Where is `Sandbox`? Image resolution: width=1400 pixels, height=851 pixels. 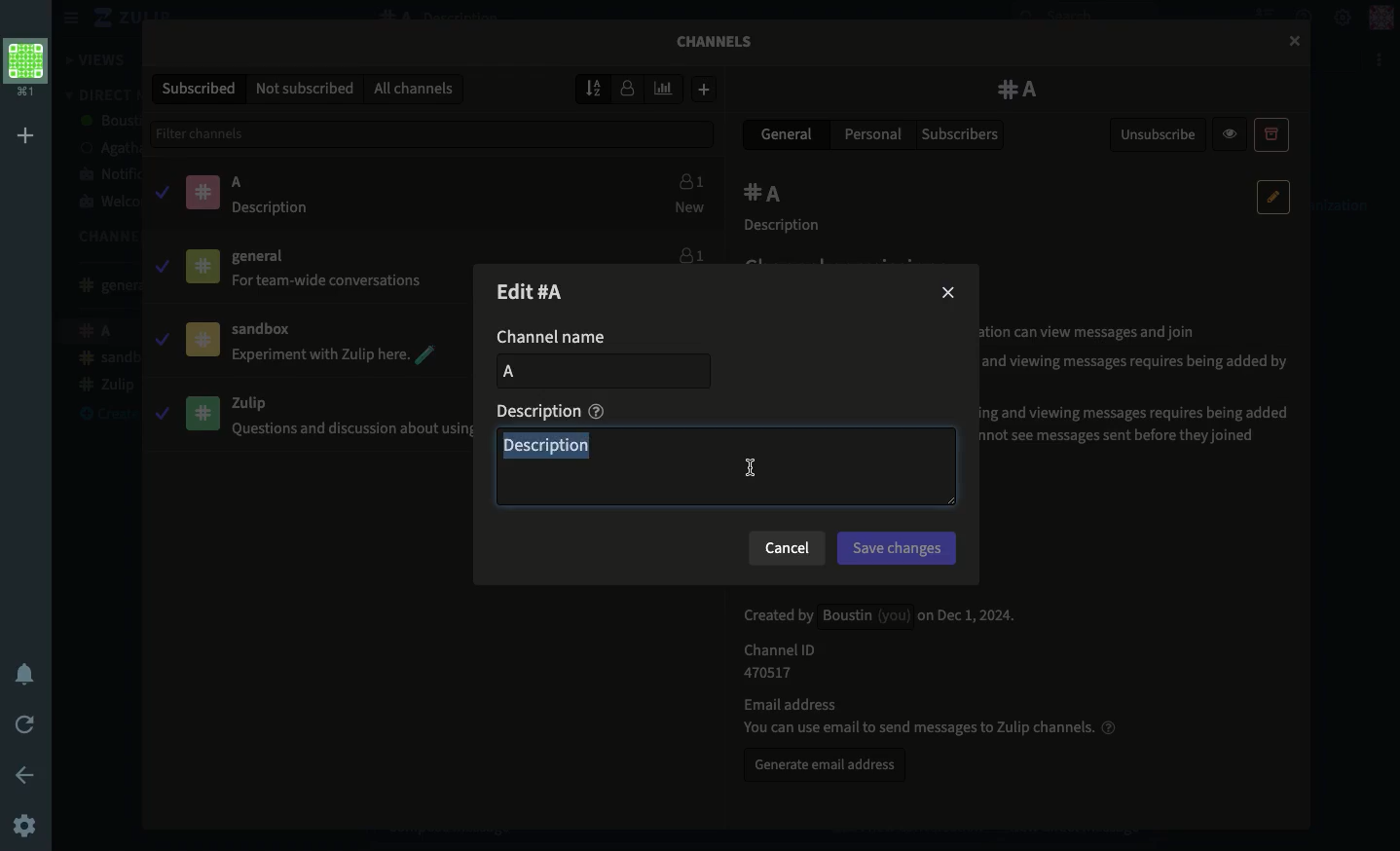 Sandbox is located at coordinates (107, 359).